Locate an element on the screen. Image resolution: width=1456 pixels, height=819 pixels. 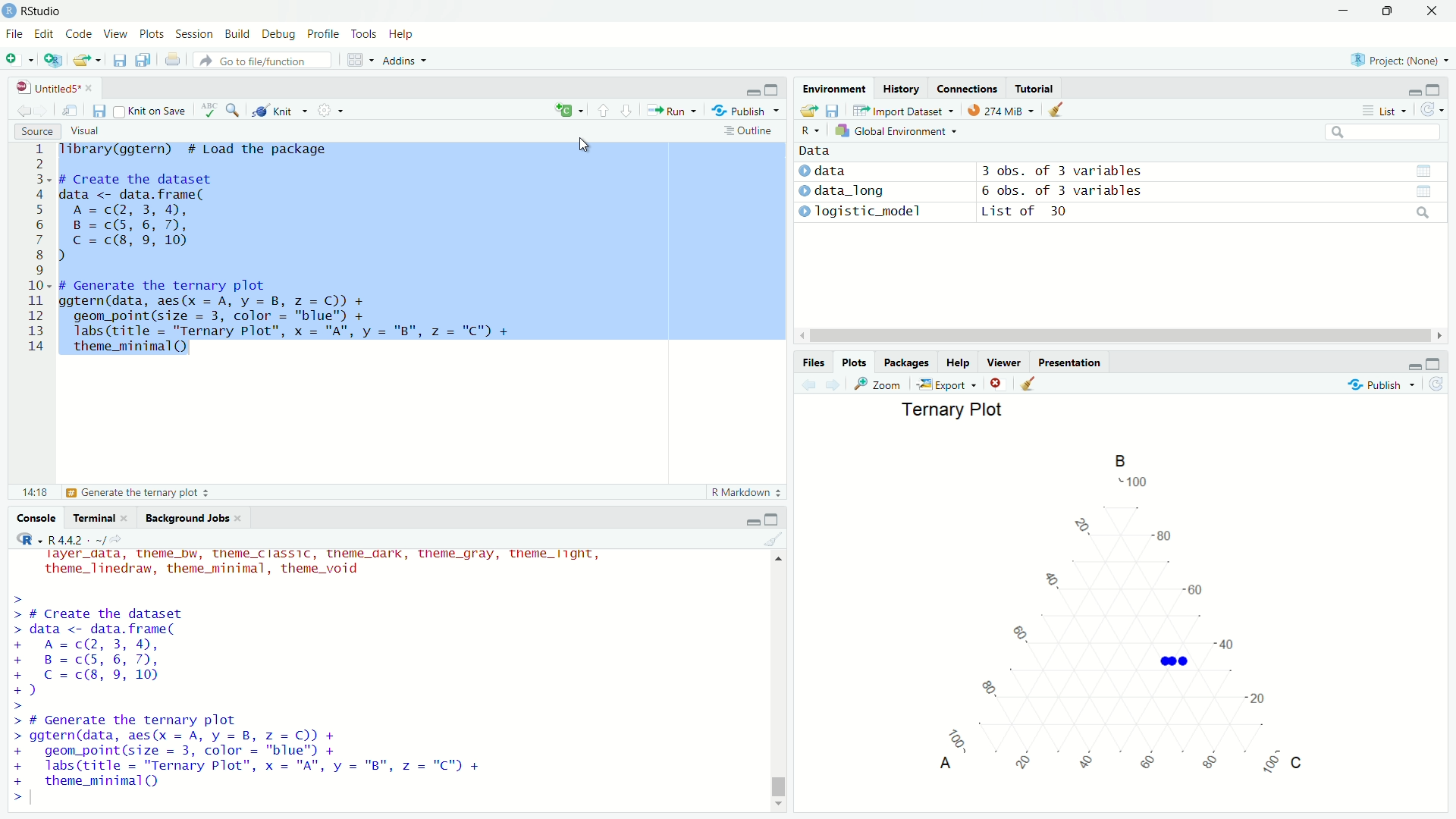
clear is located at coordinates (773, 541).